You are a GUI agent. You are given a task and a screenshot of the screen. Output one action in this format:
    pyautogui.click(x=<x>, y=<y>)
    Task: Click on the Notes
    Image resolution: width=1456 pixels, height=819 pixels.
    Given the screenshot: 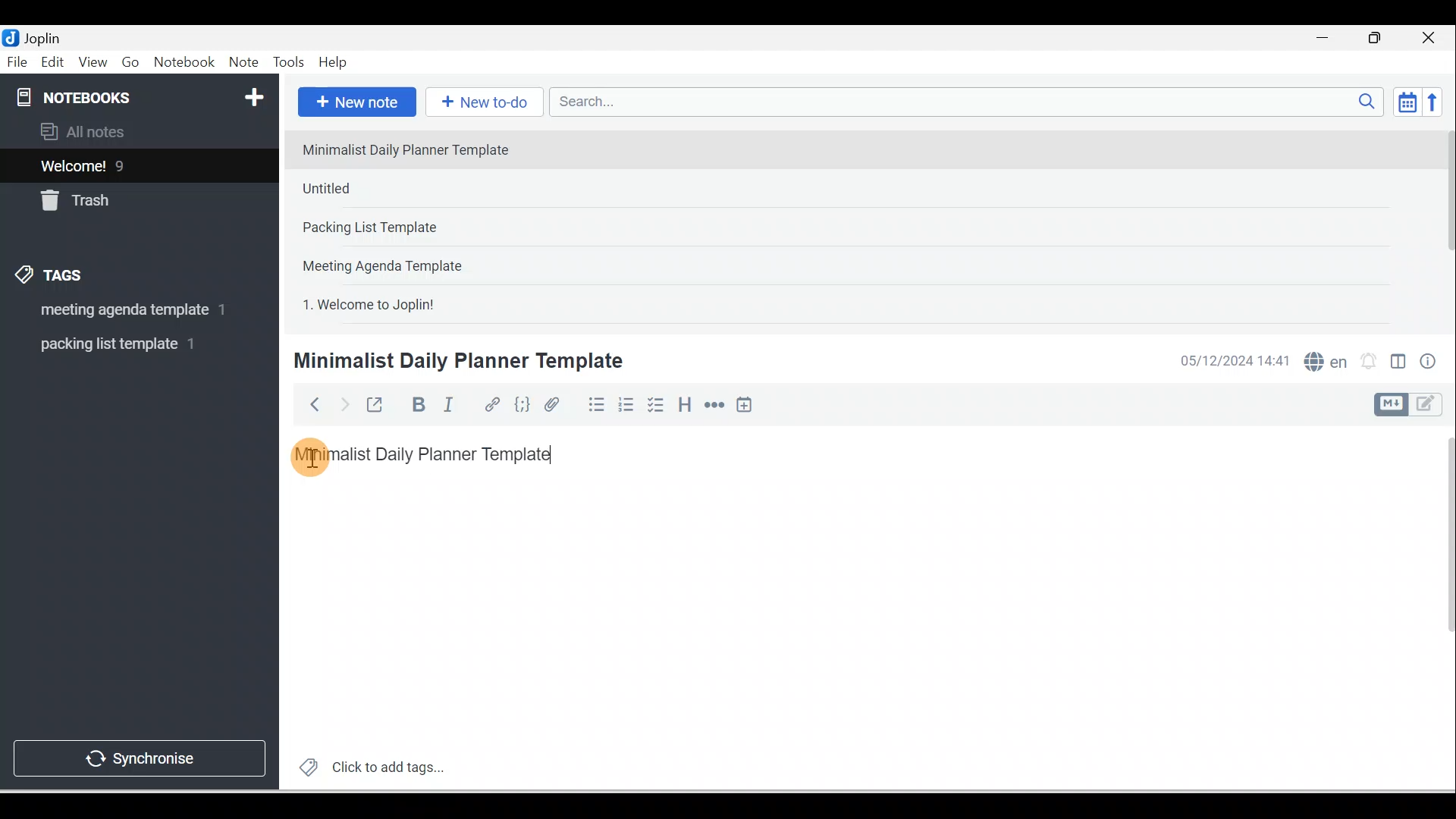 What is the action you would take?
    pyautogui.click(x=128, y=162)
    